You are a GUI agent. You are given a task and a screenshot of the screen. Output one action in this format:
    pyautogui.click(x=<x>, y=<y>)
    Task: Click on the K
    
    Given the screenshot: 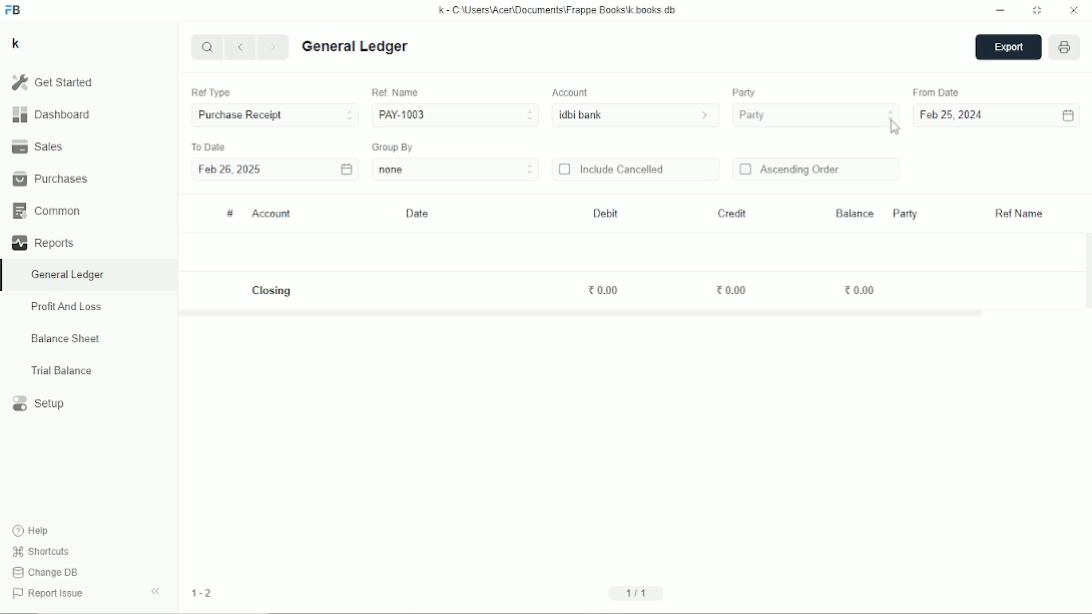 What is the action you would take?
    pyautogui.click(x=16, y=43)
    